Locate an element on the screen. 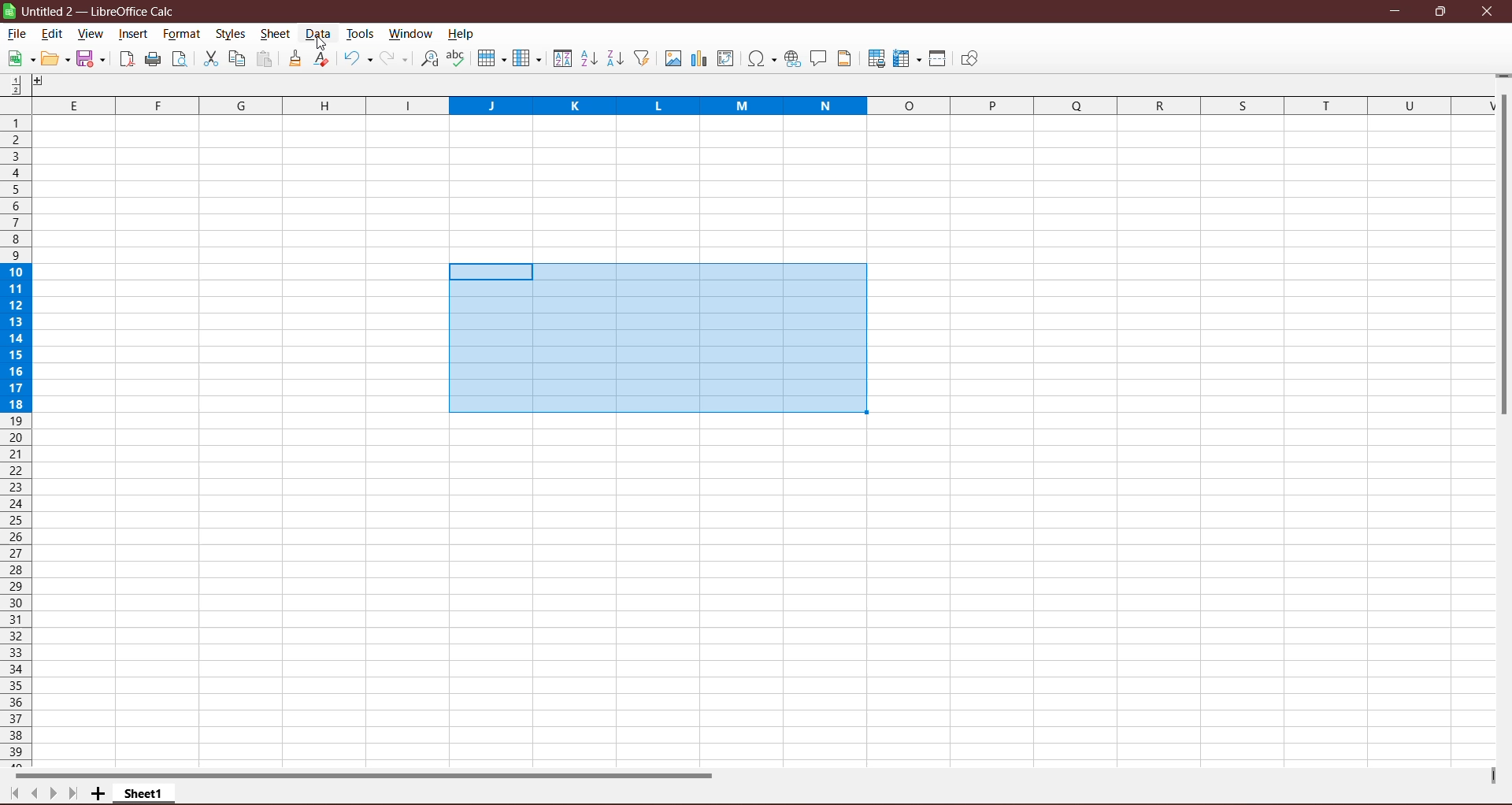 This screenshot has height=805, width=1512. AutoFilter is located at coordinates (643, 58).